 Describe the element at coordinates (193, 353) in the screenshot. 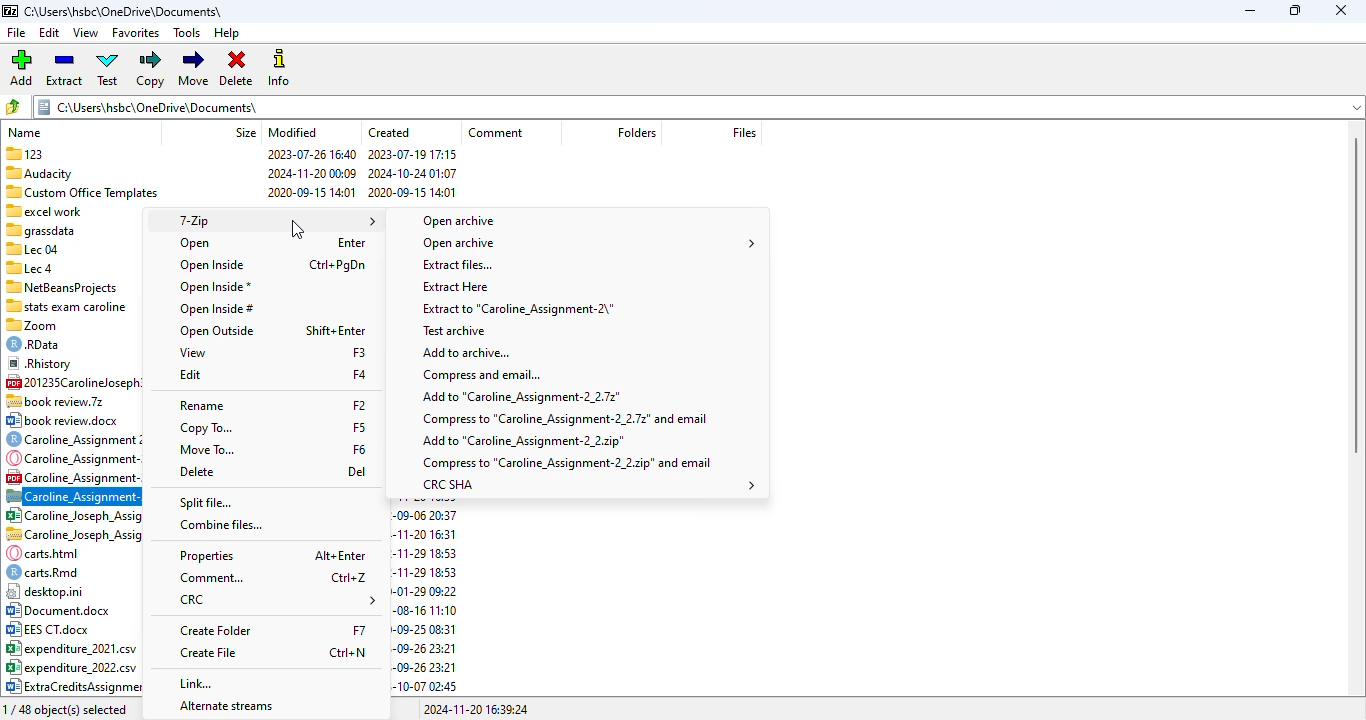

I see `view` at that location.